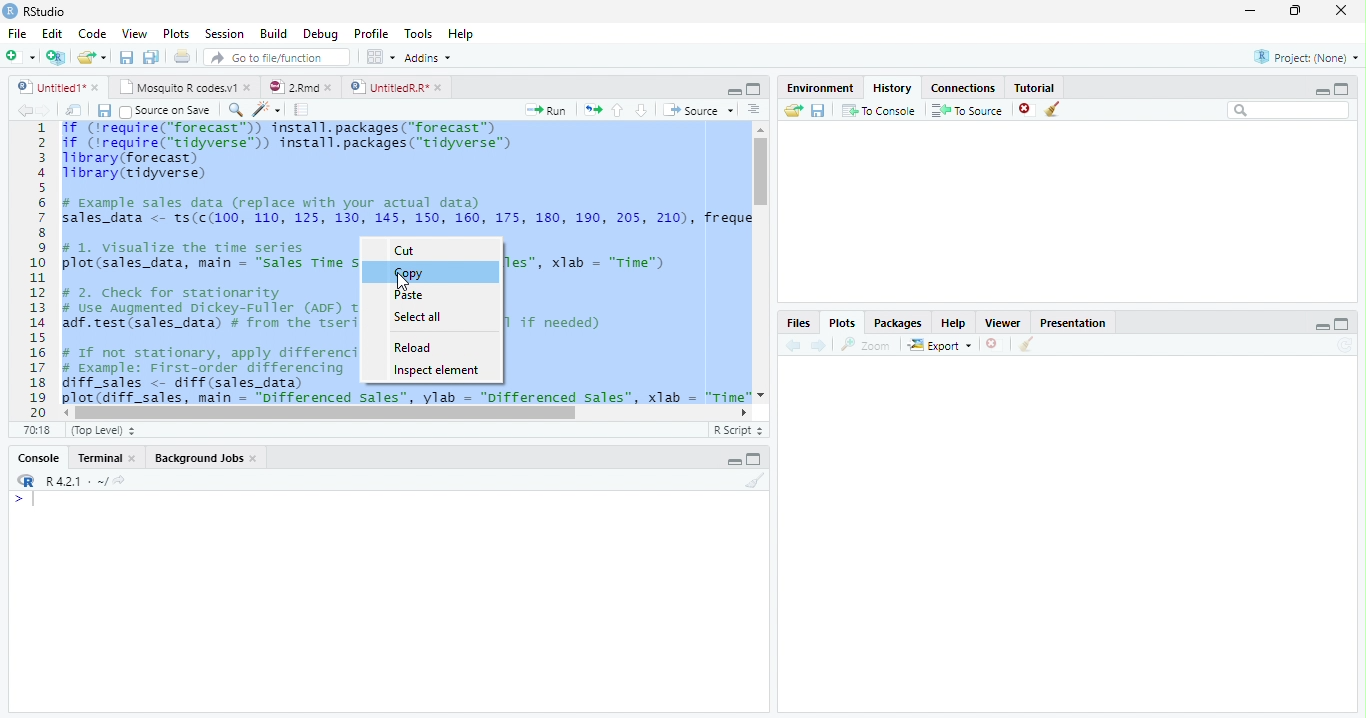 The width and height of the screenshot is (1366, 718). Describe the element at coordinates (1296, 12) in the screenshot. I see `Restore Down` at that location.